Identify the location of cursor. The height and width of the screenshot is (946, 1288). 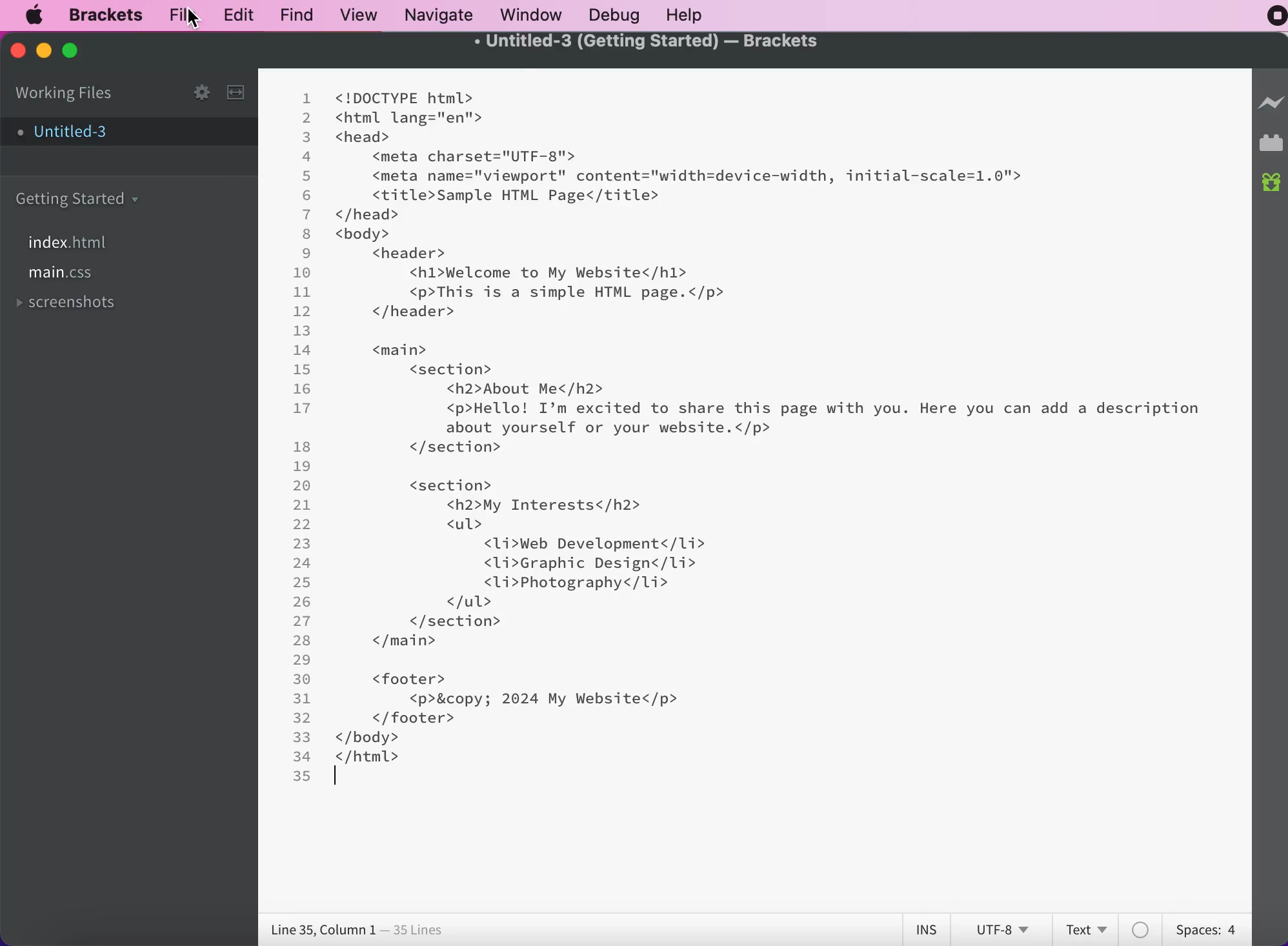
(194, 18).